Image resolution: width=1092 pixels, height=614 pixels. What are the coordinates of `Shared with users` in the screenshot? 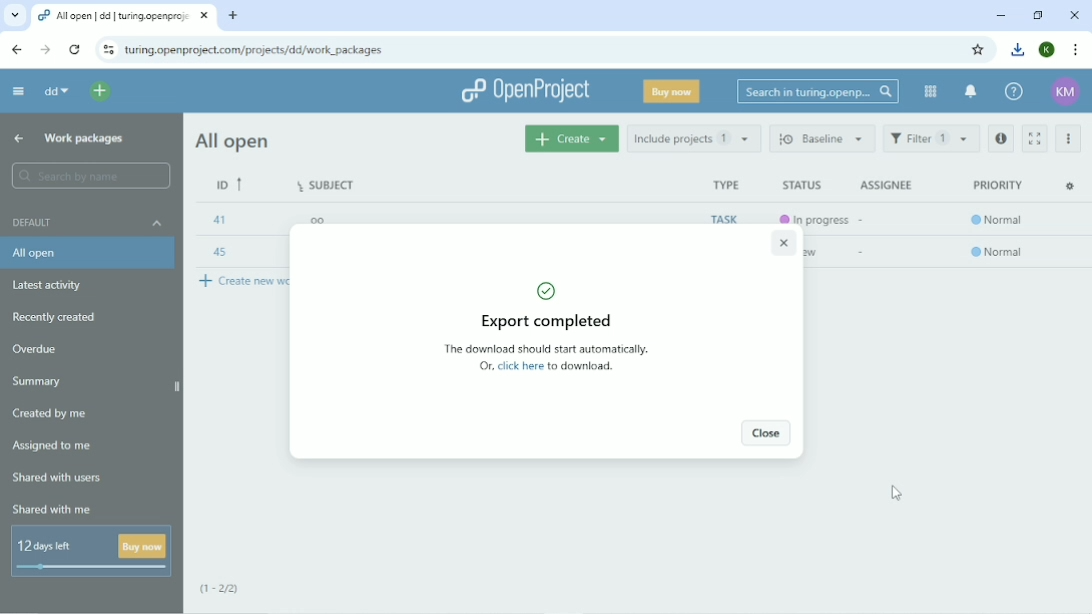 It's located at (58, 480).